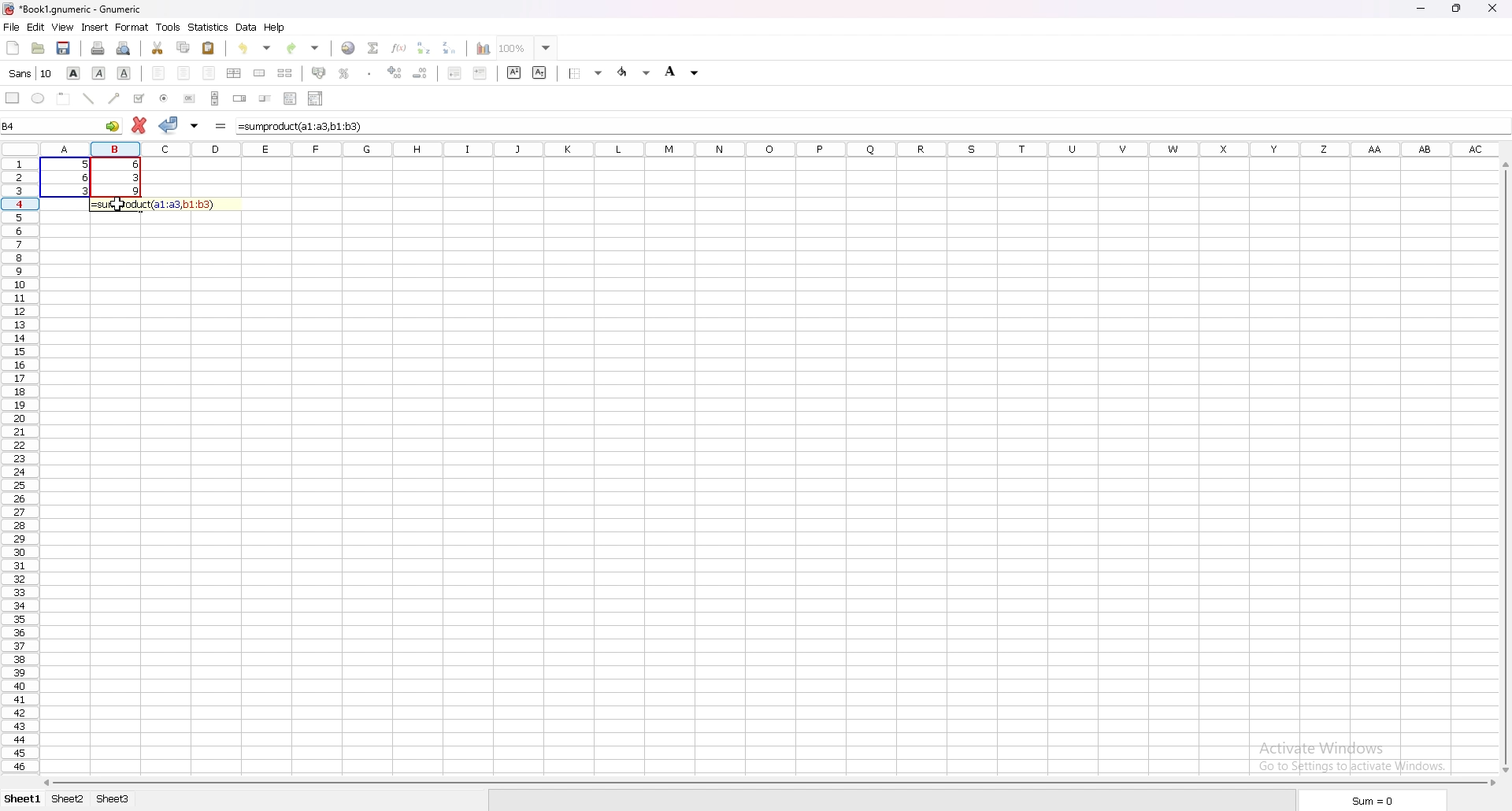 This screenshot has height=811, width=1512. I want to click on sort descending, so click(450, 47).